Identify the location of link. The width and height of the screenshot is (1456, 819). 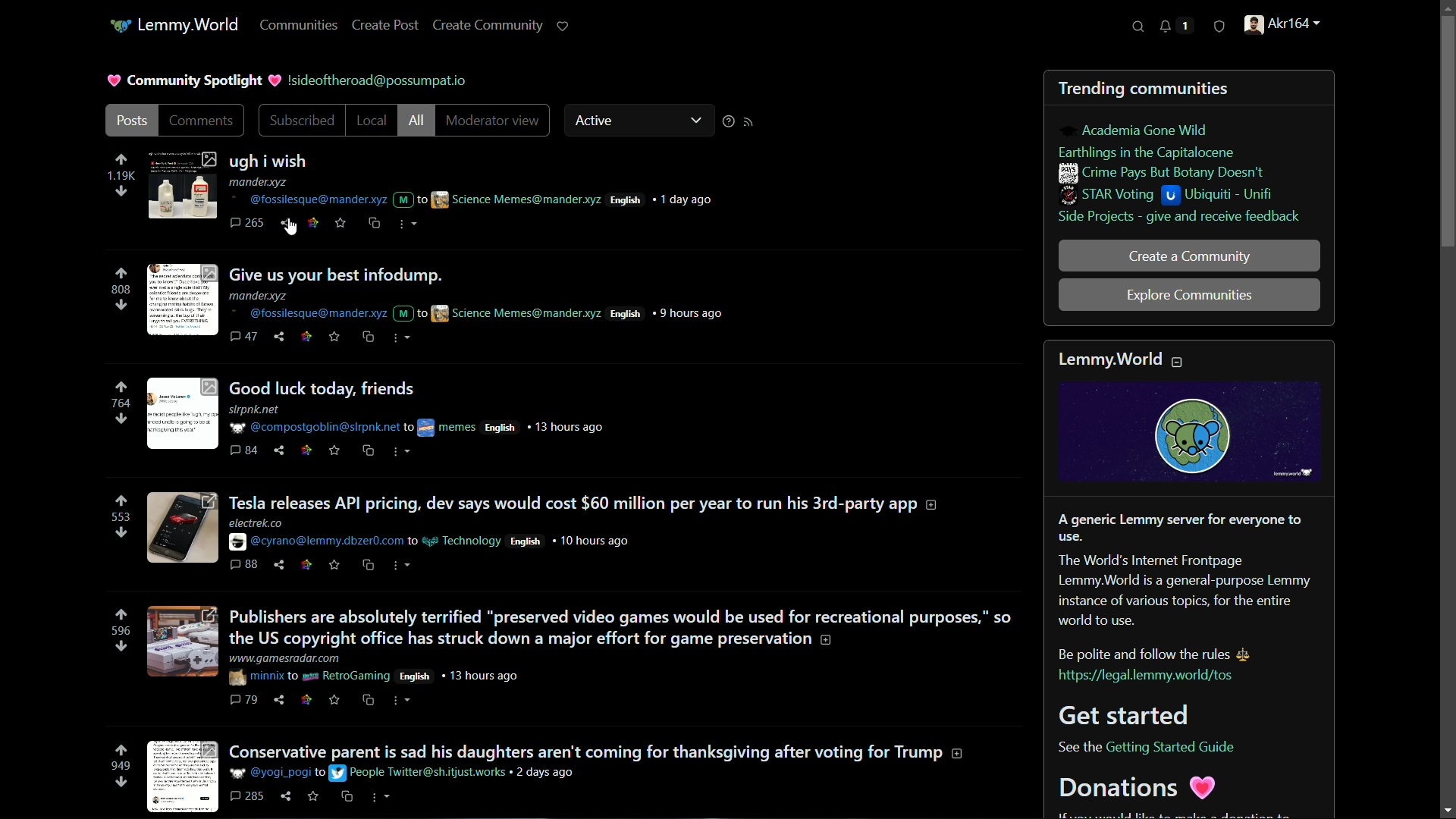
(306, 700).